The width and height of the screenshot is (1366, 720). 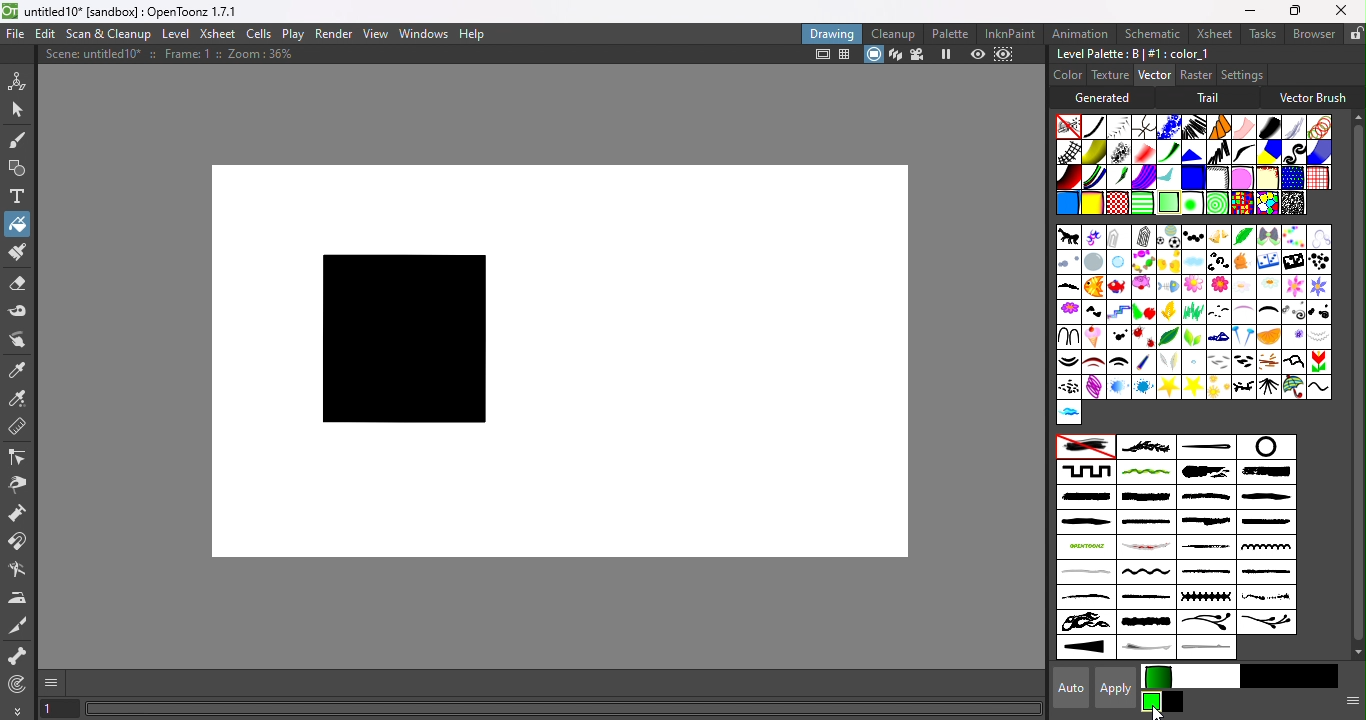 What do you see at coordinates (1317, 152) in the screenshot?
I see `Watercolor` at bounding box center [1317, 152].